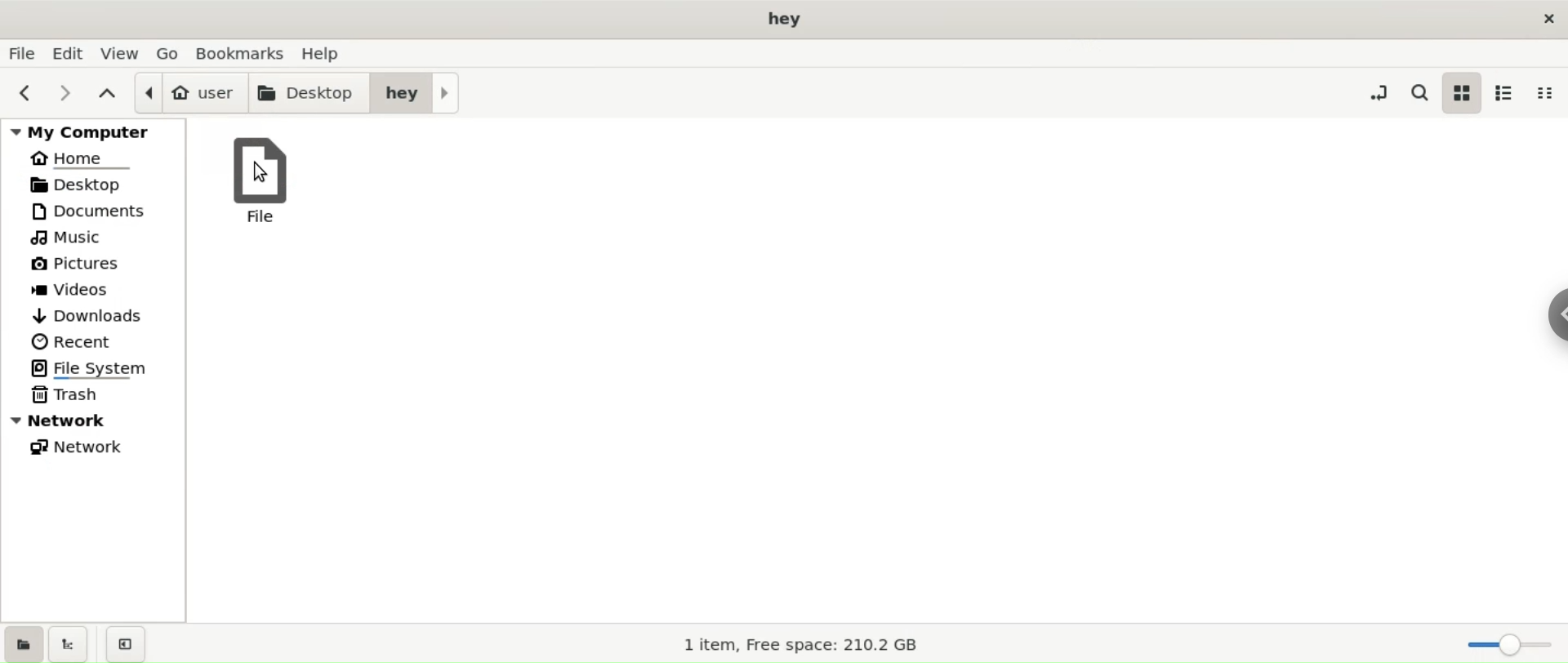 Image resolution: width=1568 pixels, height=663 pixels. What do you see at coordinates (275, 176) in the screenshot?
I see `file` at bounding box center [275, 176].